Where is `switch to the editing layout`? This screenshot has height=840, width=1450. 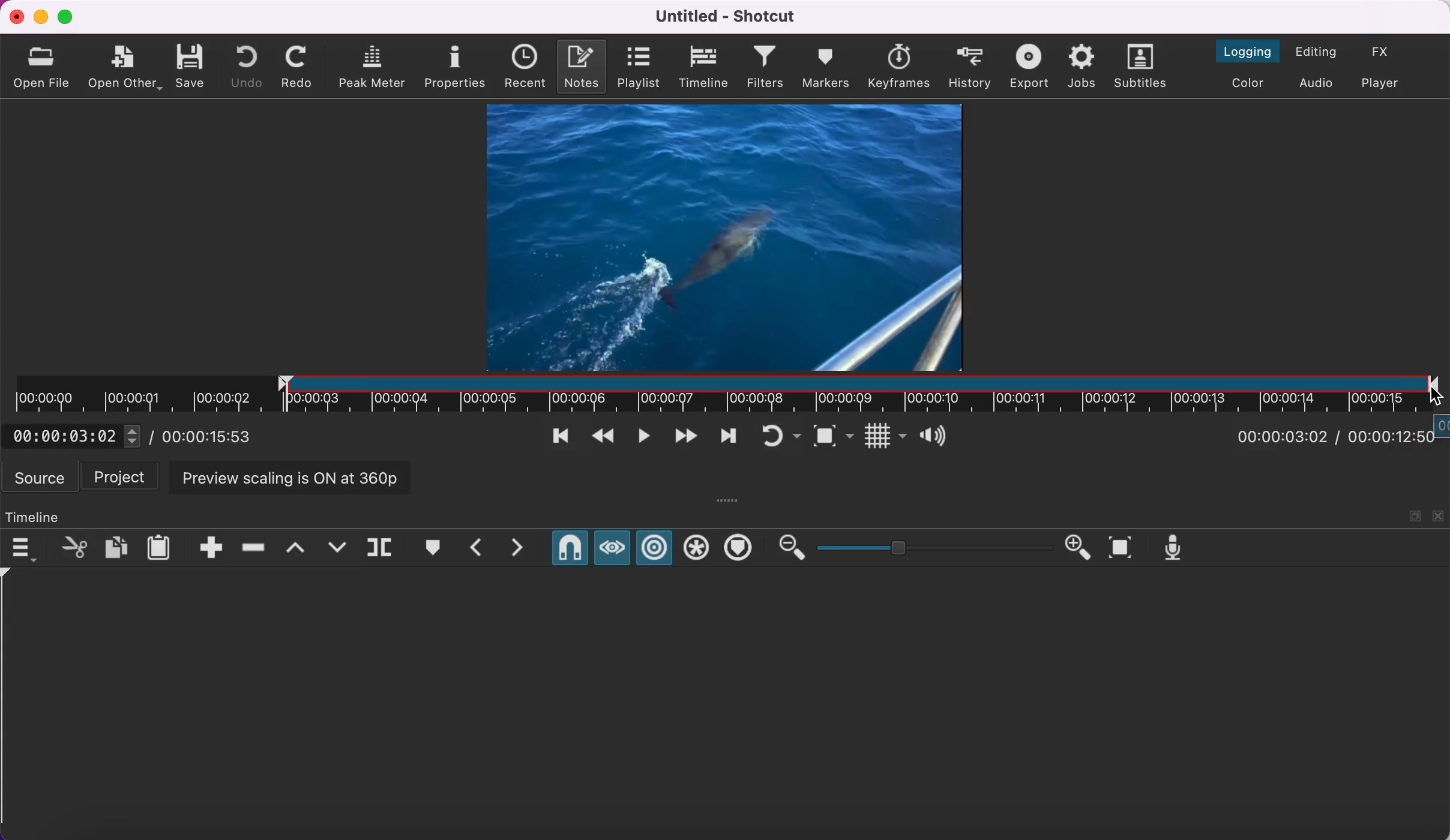 switch to the editing layout is located at coordinates (1320, 51).